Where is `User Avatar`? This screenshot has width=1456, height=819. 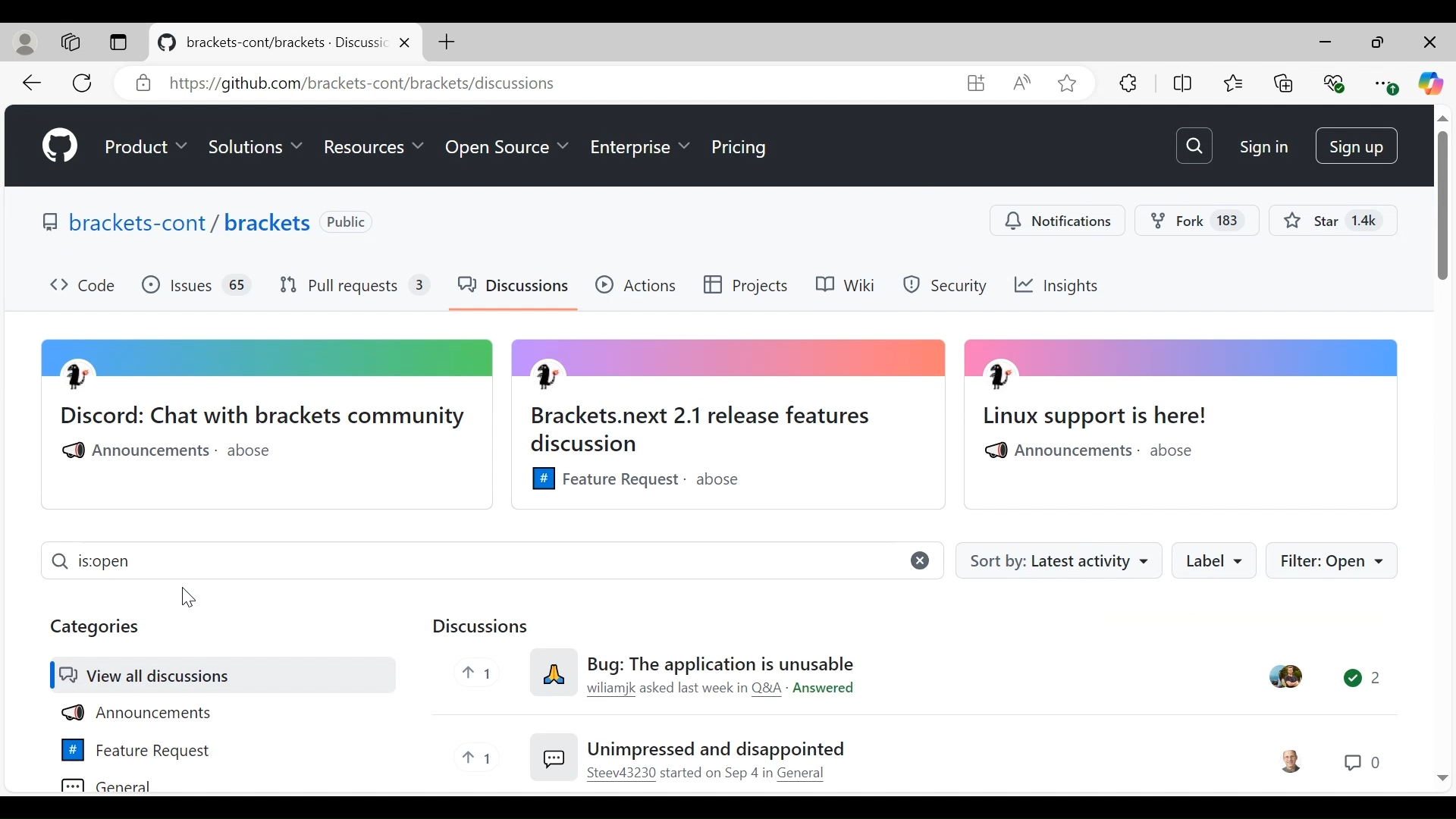
User Avatar is located at coordinates (1285, 677).